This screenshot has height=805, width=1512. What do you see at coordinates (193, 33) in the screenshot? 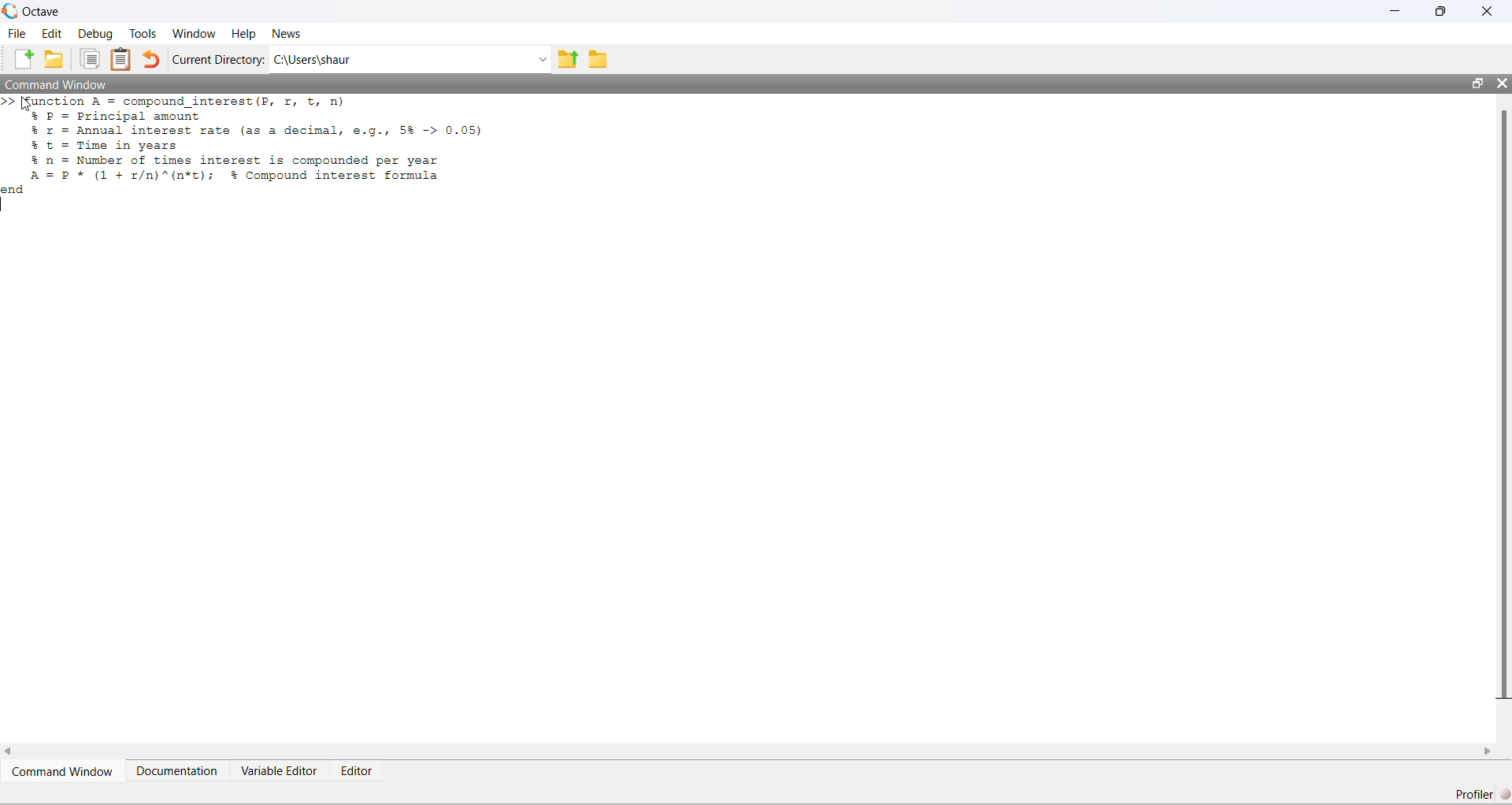
I see `Window` at bounding box center [193, 33].